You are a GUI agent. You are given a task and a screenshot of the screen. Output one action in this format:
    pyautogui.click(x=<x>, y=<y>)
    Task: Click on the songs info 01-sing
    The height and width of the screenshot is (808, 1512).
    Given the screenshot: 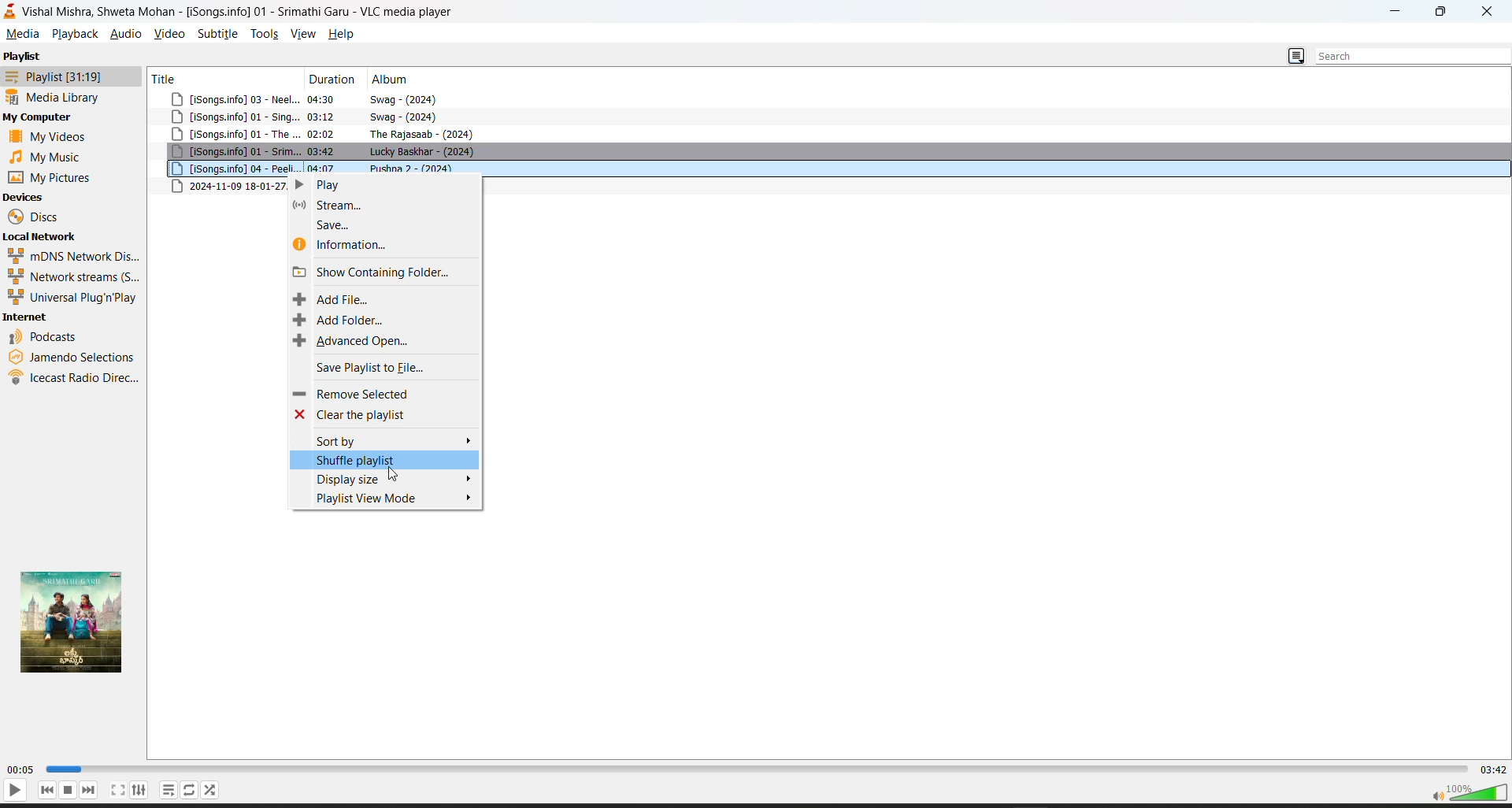 What is the action you would take?
    pyautogui.click(x=232, y=117)
    